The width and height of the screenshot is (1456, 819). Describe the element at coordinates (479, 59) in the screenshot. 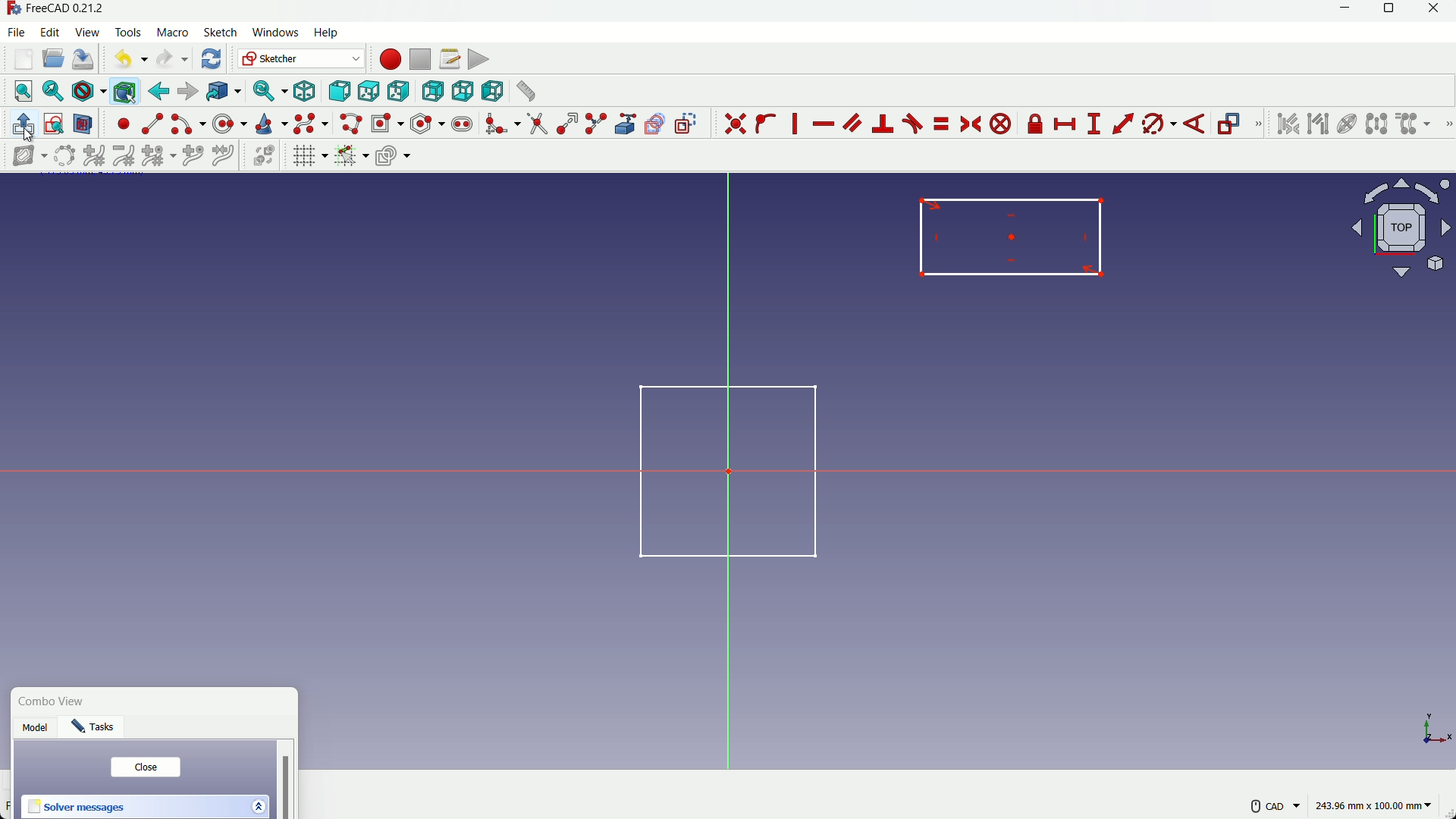

I see `execute macros` at that location.